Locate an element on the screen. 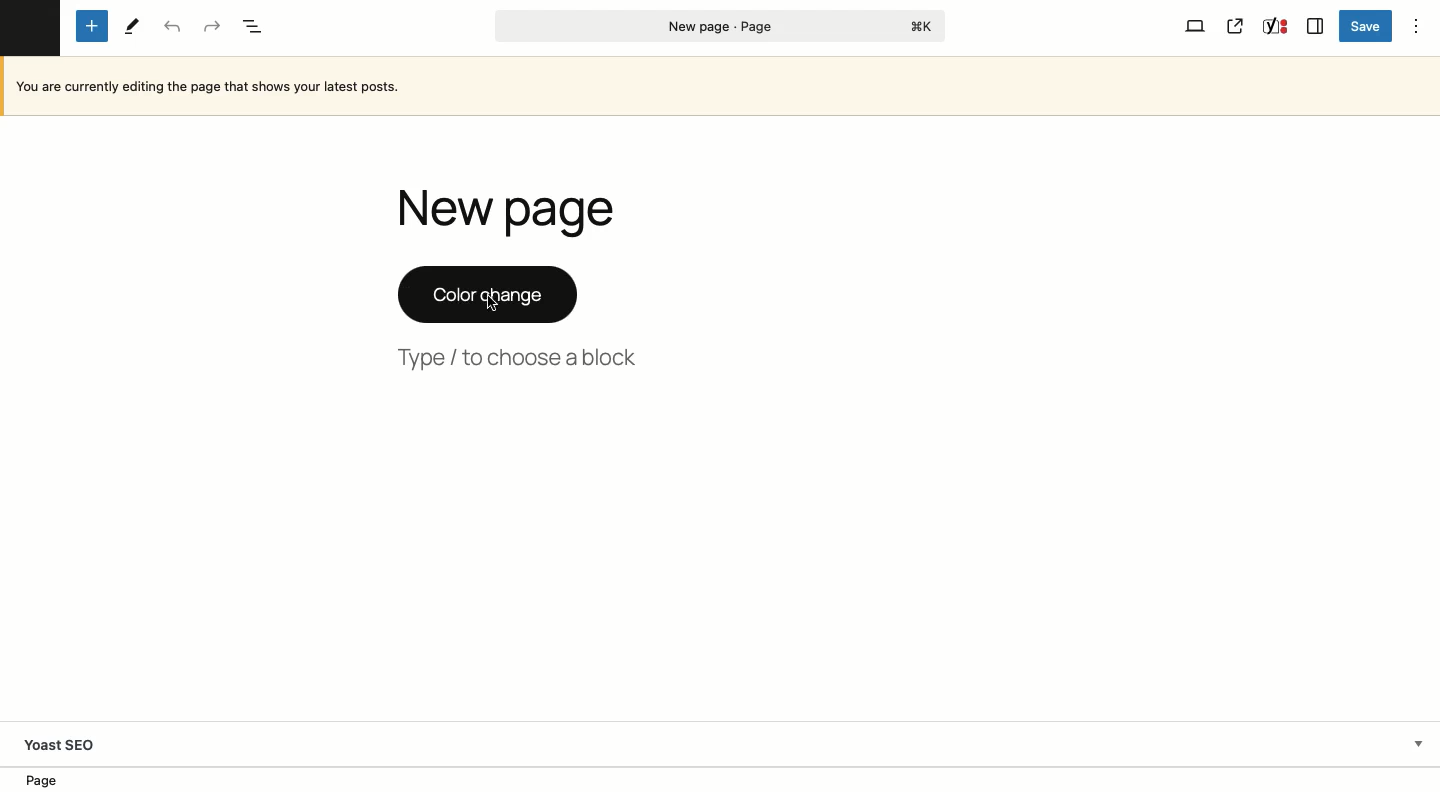  Title is located at coordinates (513, 210).